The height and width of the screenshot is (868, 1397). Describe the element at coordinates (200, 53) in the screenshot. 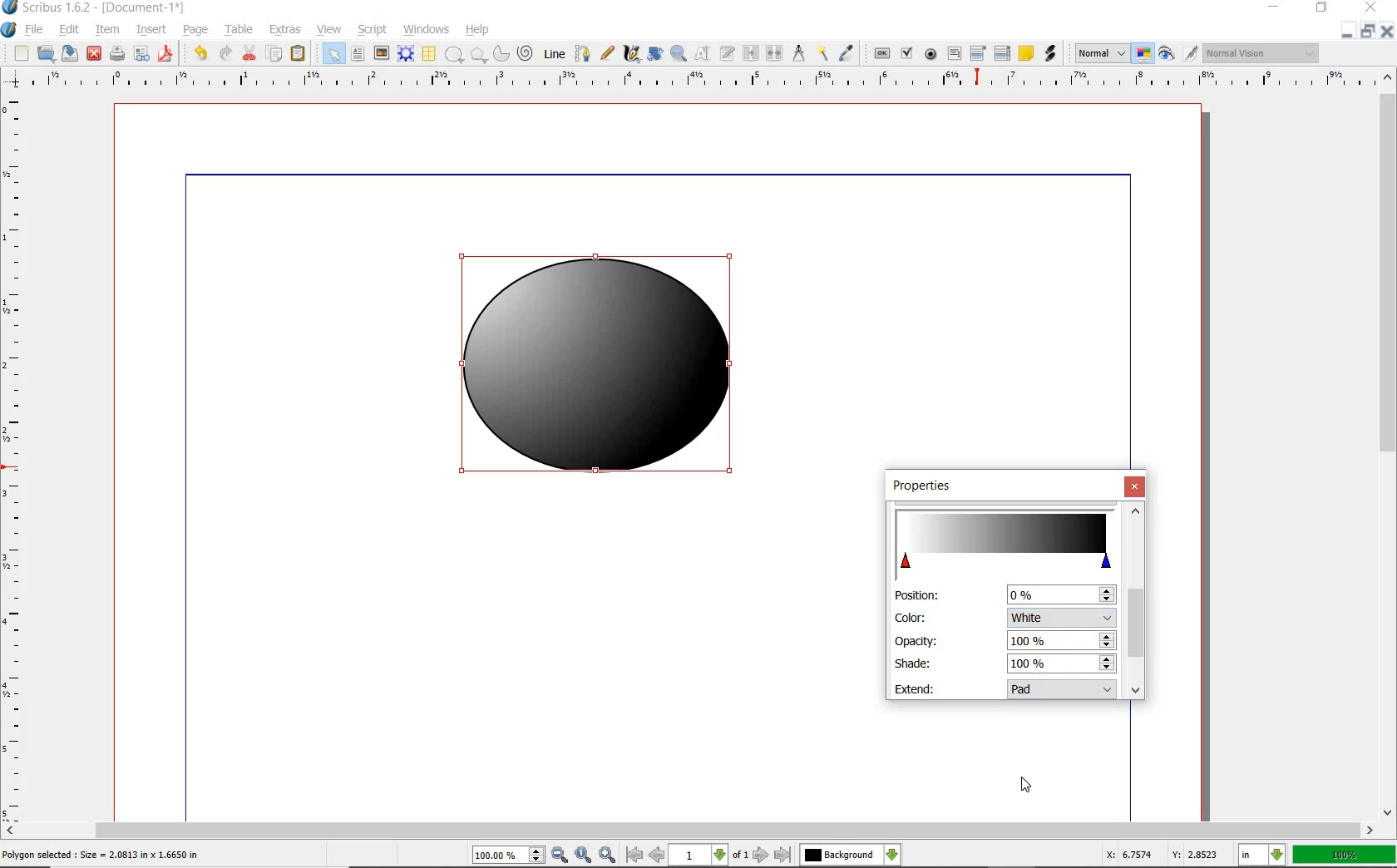

I see `UNDO` at that location.